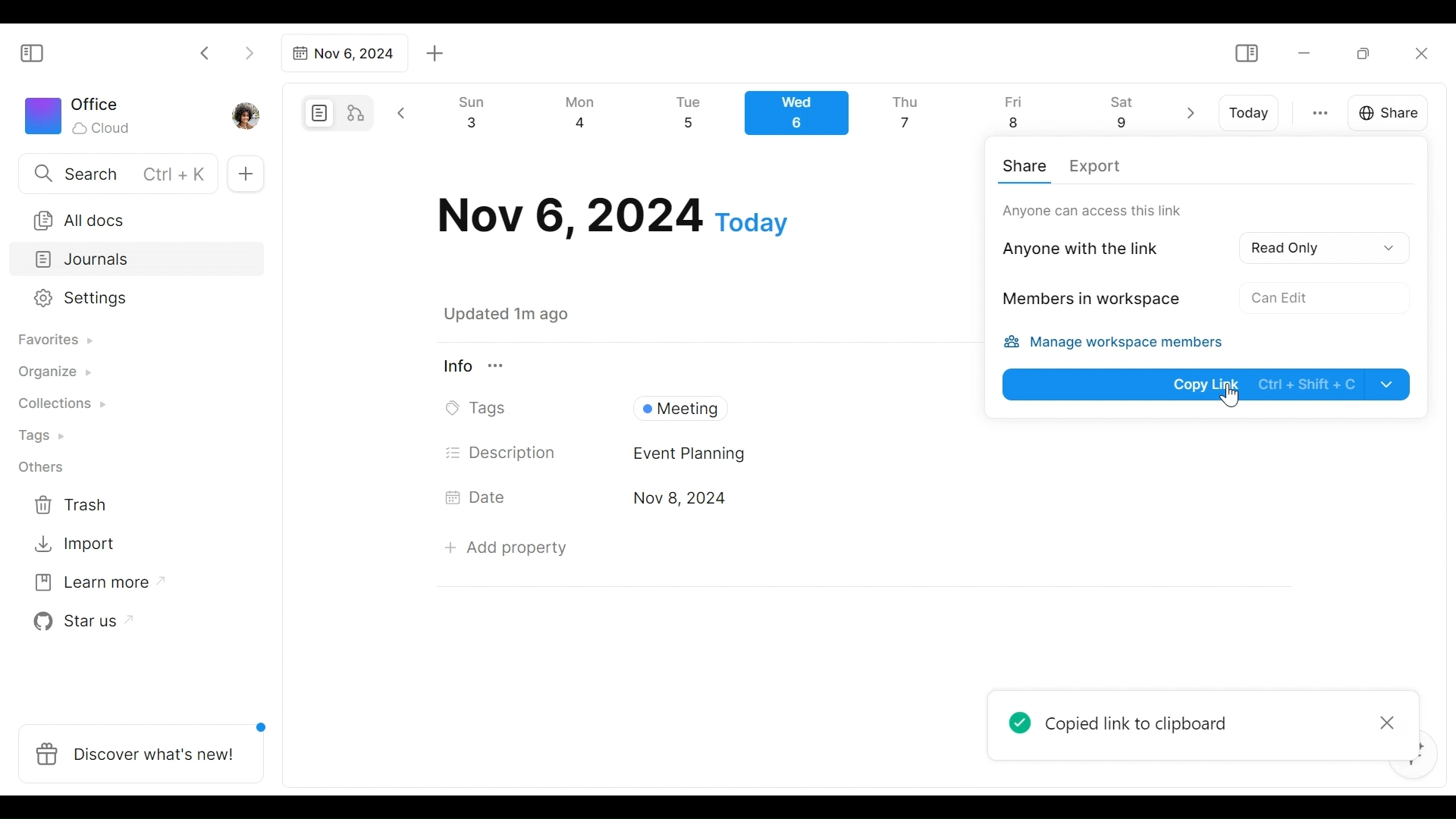  What do you see at coordinates (803, 117) in the screenshot?
I see `Calendar` at bounding box center [803, 117].